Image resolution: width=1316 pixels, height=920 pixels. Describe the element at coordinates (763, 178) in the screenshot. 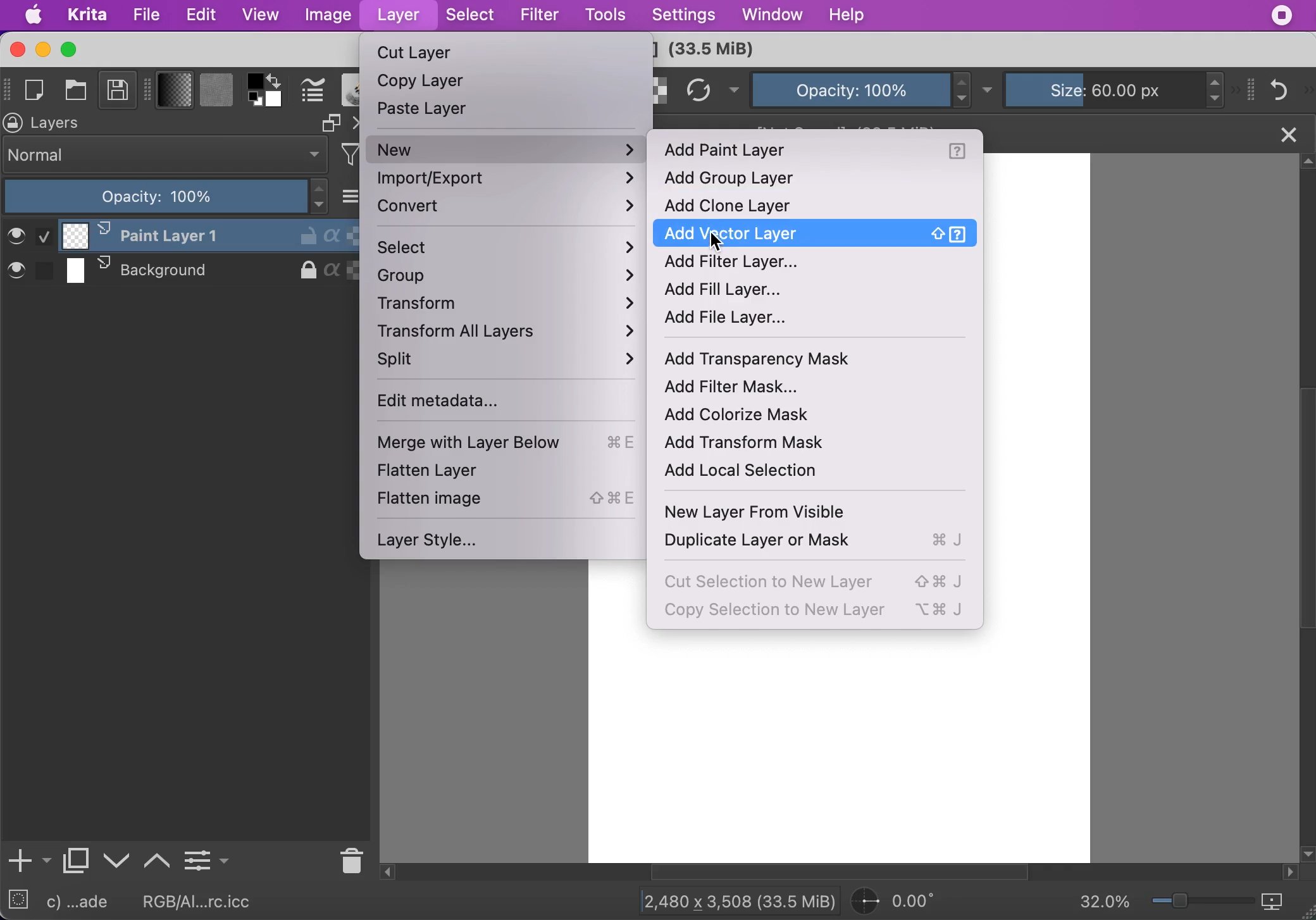

I see `add group layer` at that location.